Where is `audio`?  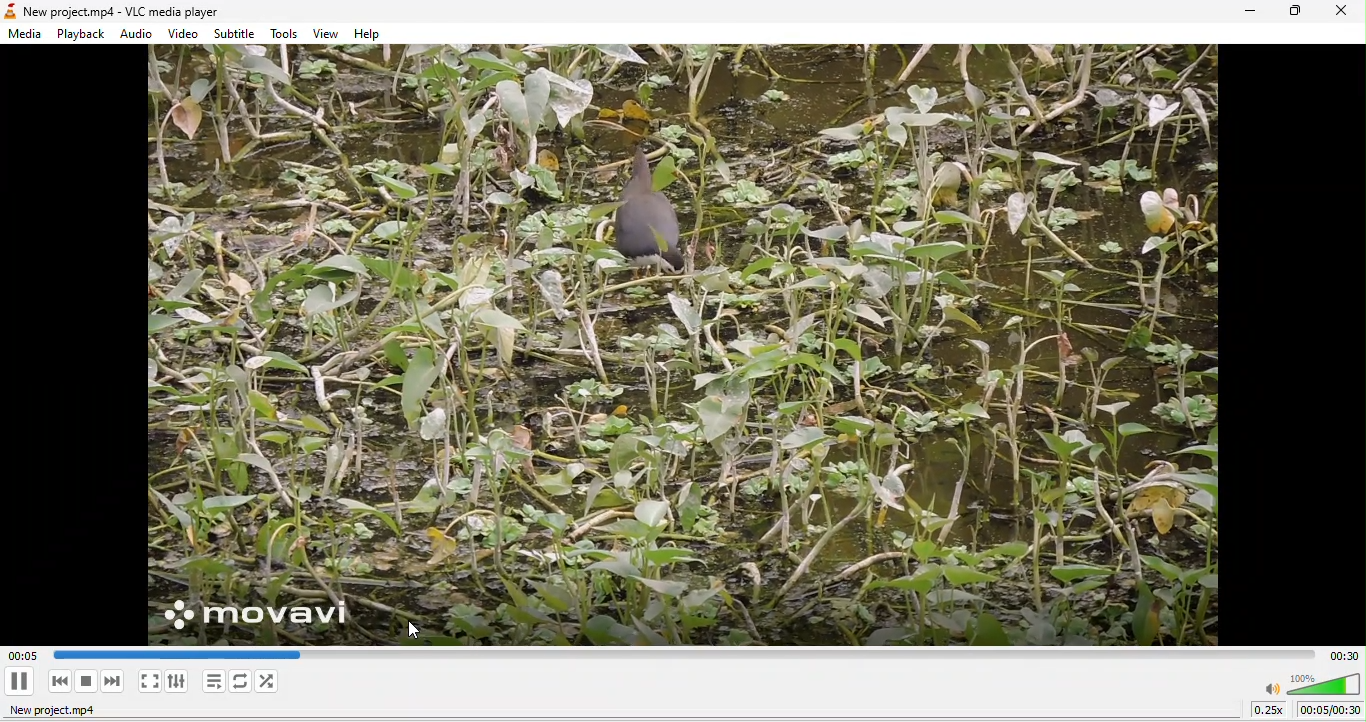
audio is located at coordinates (139, 35).